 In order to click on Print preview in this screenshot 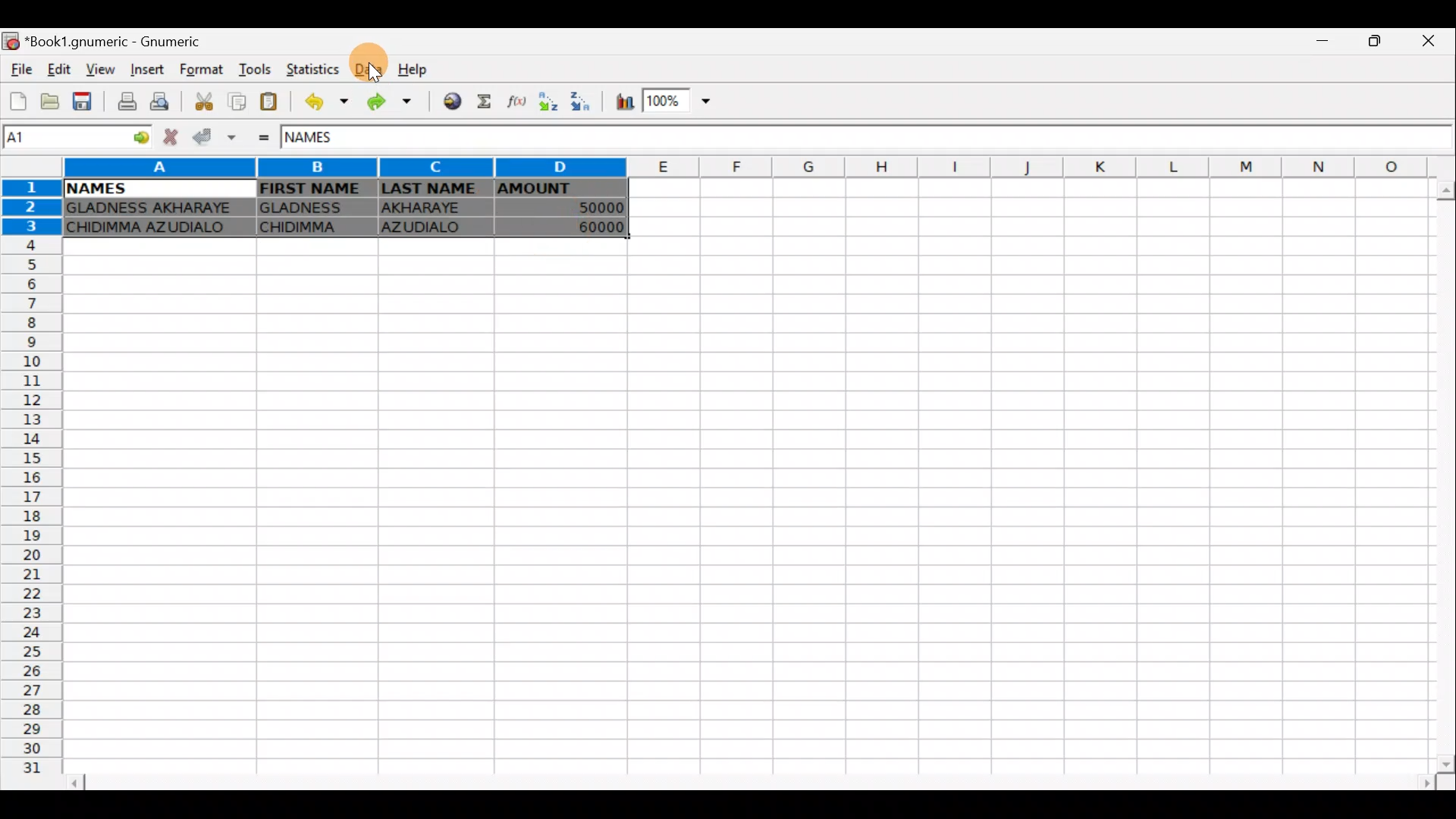, I will do `click(163, 100)`.